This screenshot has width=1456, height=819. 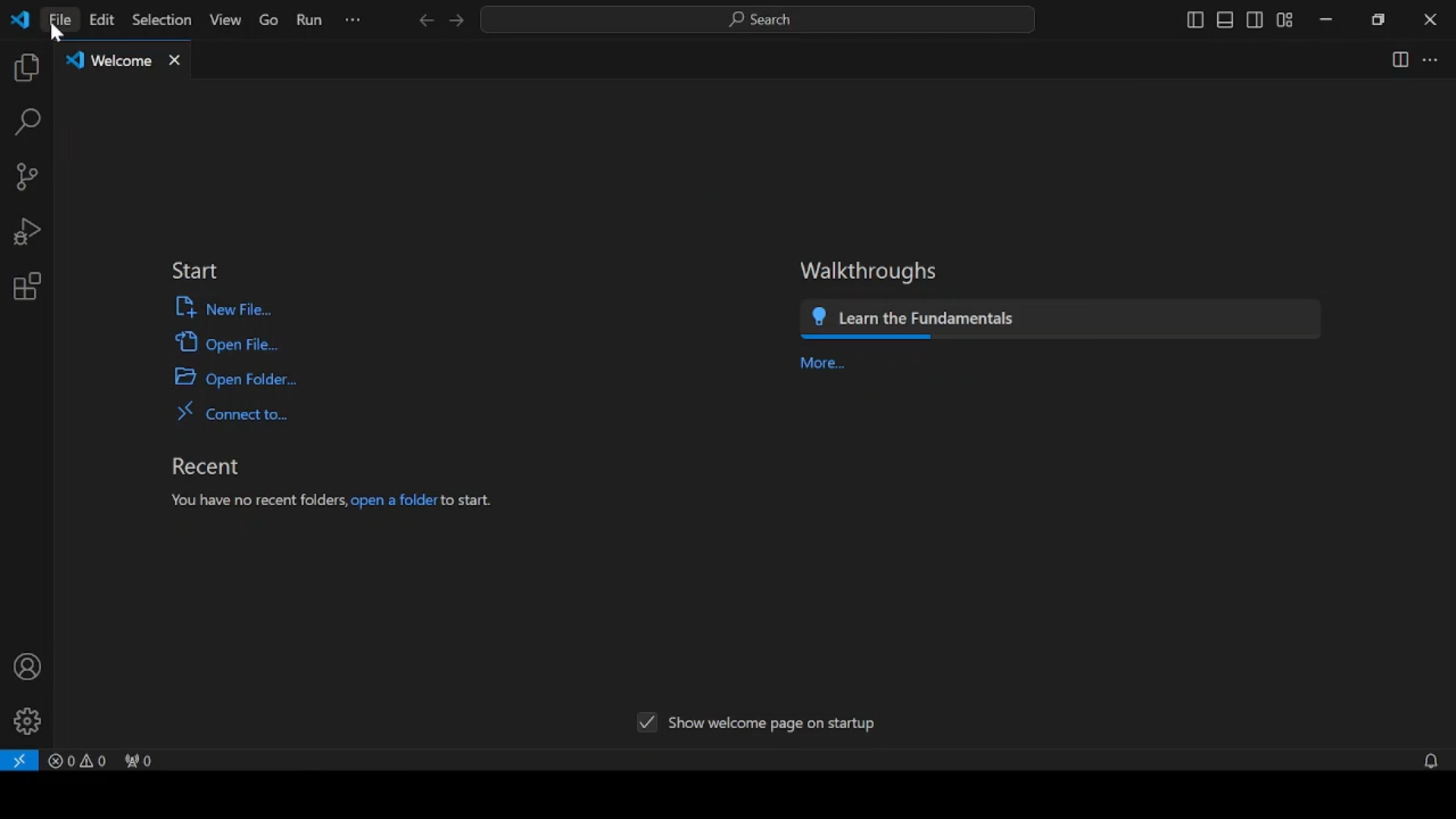 I want to click on walkthroughs, so click(x=869, y=271).